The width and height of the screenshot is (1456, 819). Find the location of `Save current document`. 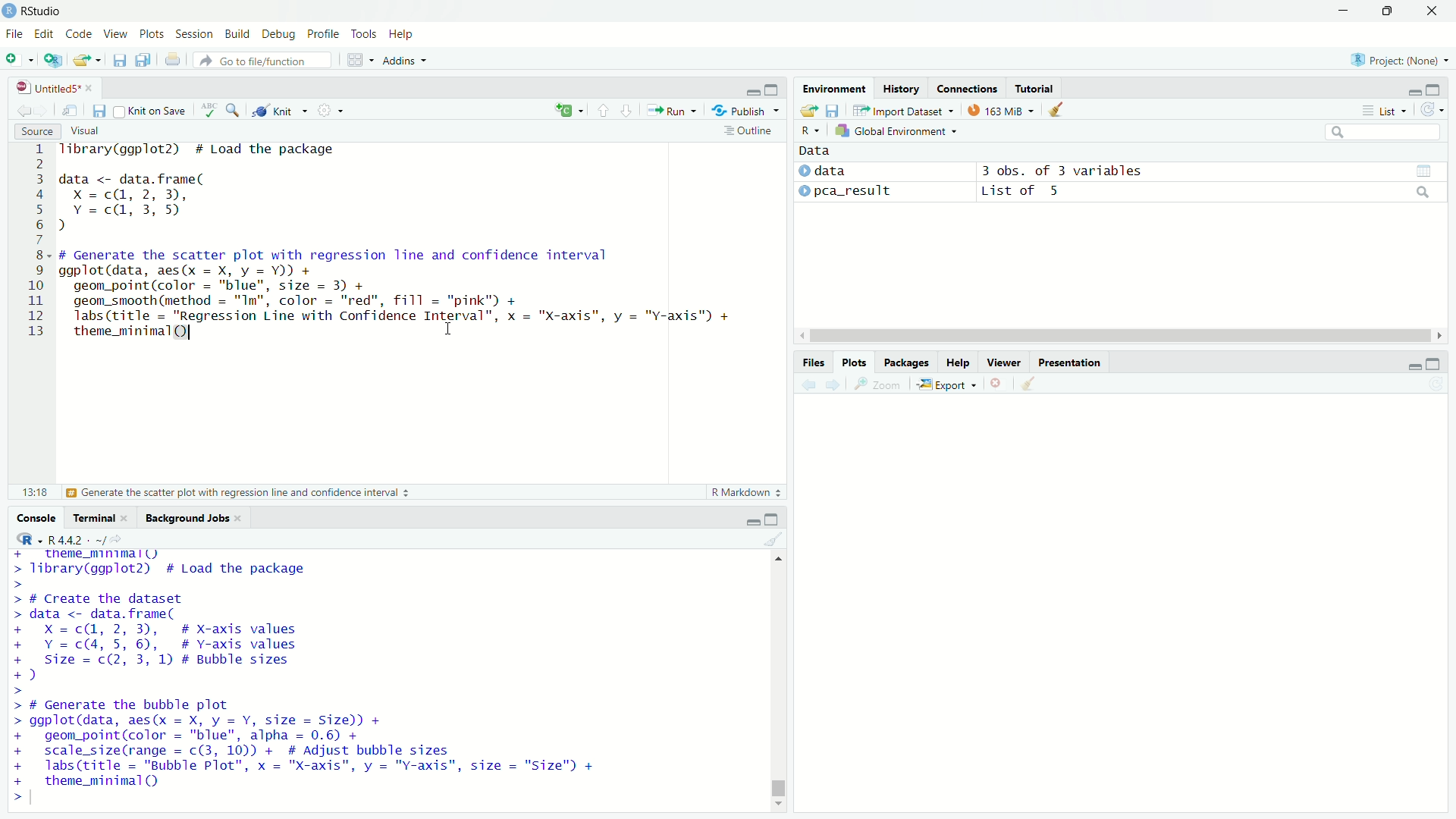

Save current document is located at coordinates (118, 60).